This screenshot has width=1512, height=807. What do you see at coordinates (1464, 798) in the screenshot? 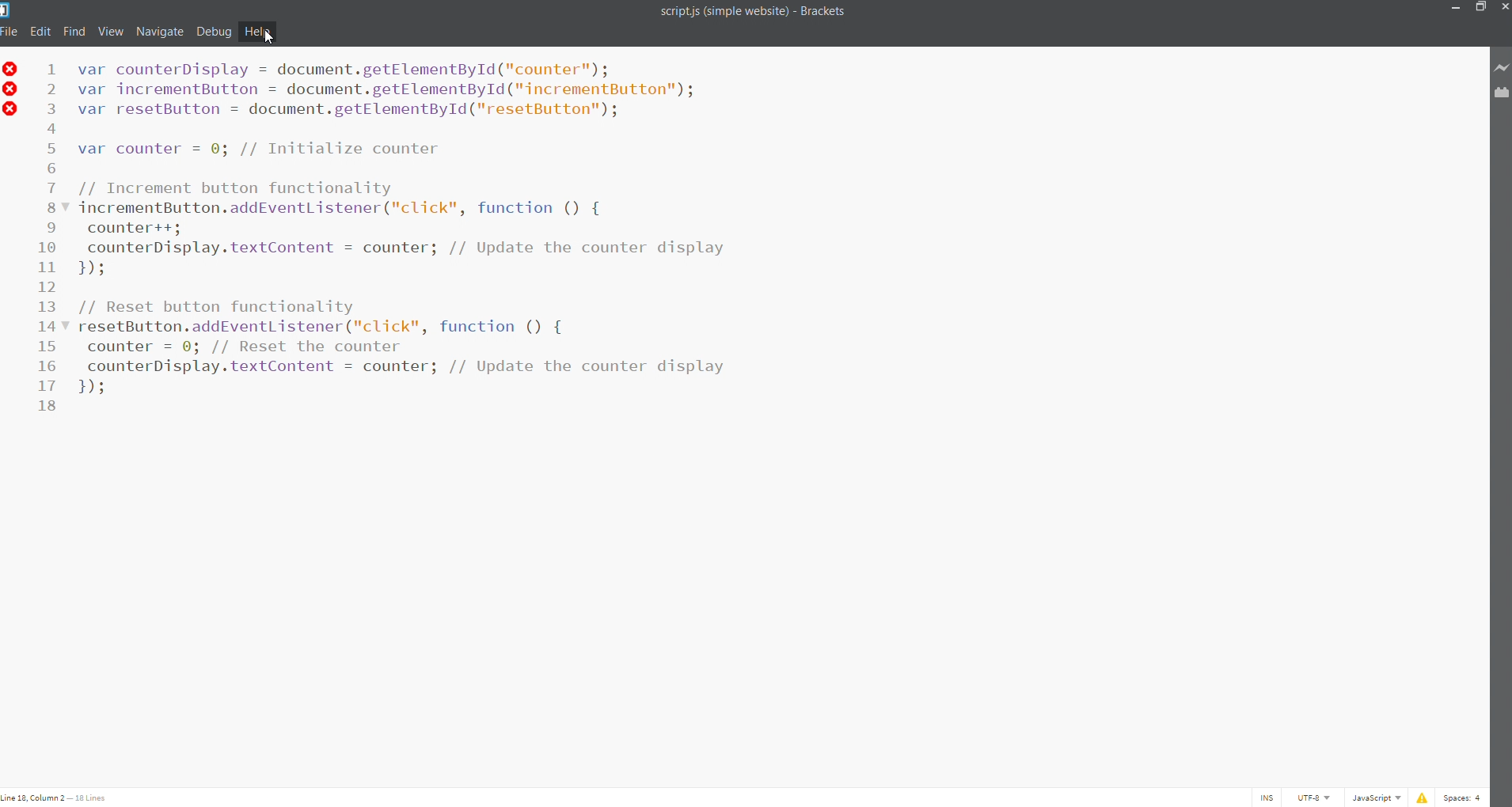
I see `space count ` at bounding box center [1464, 798].